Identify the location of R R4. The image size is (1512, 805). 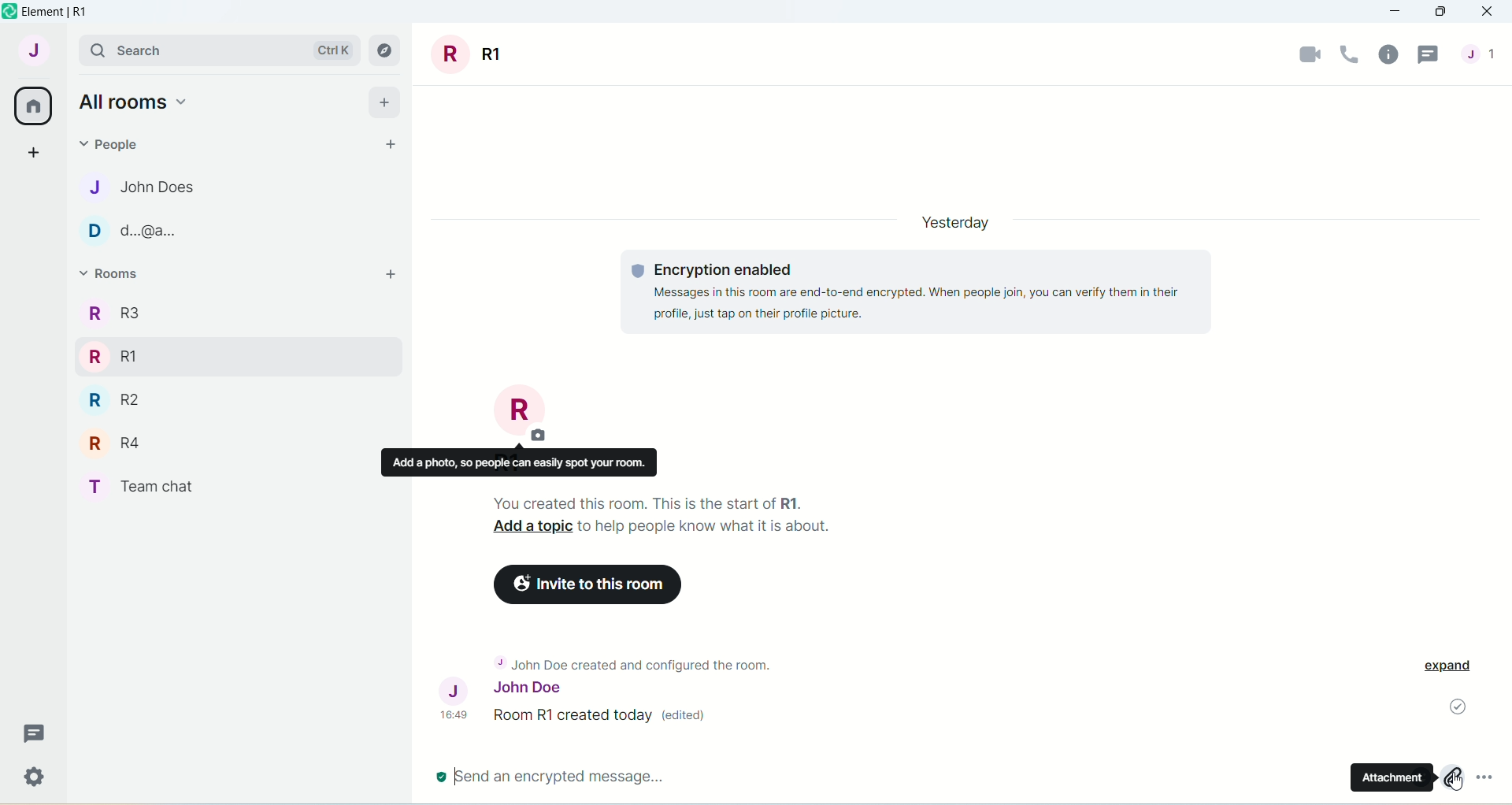
(119, 444).